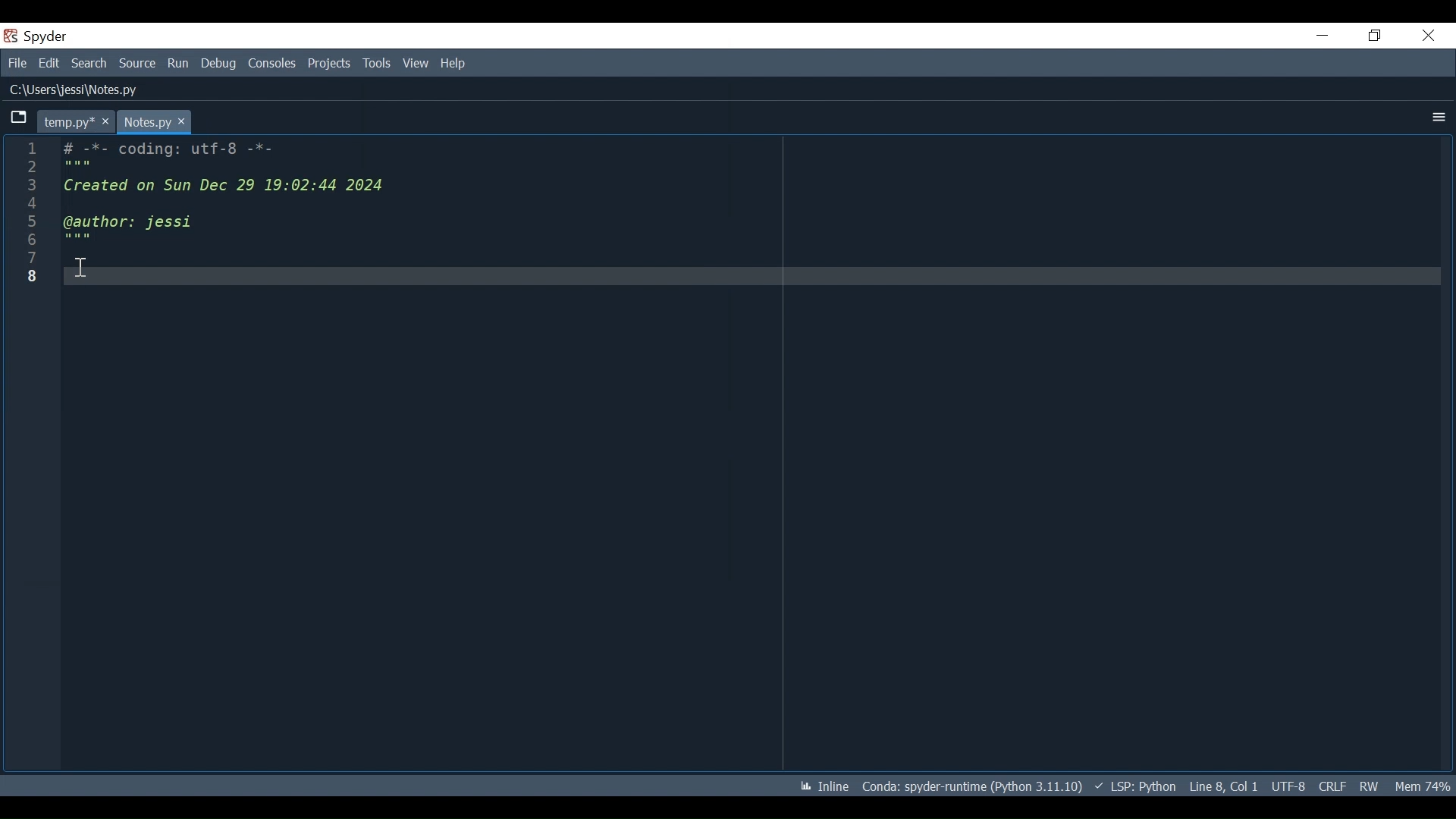 This screenshot has height=819, width=1456. Describe the element at coordinates (89, 63) in the screenshot. I see `Search` at that location.